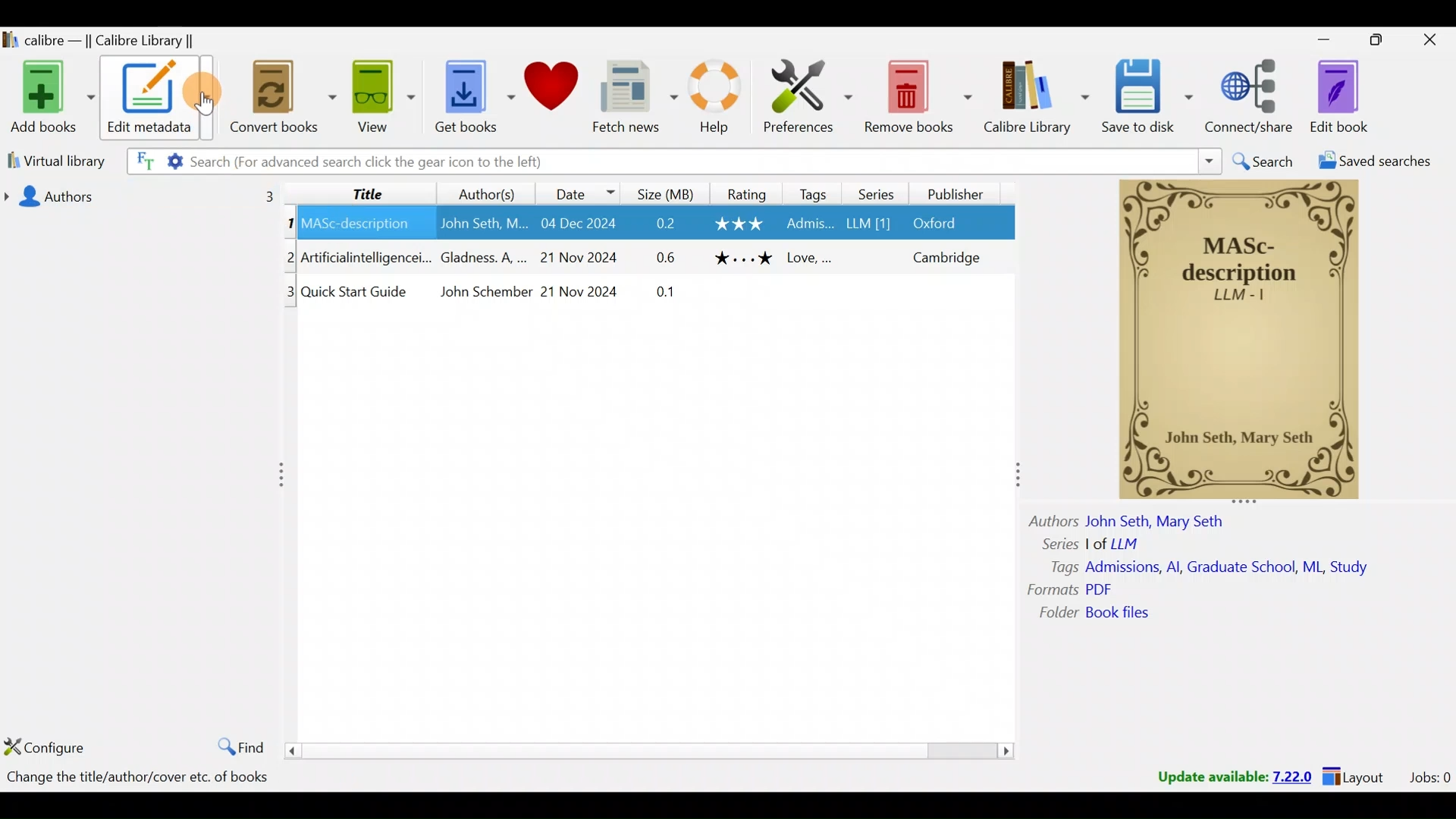 The height and width of the screenshot is (819, 1456). What do you see at coordinates (742, 259) in the screenshot?
I see `` at bounding box center [742, 259].